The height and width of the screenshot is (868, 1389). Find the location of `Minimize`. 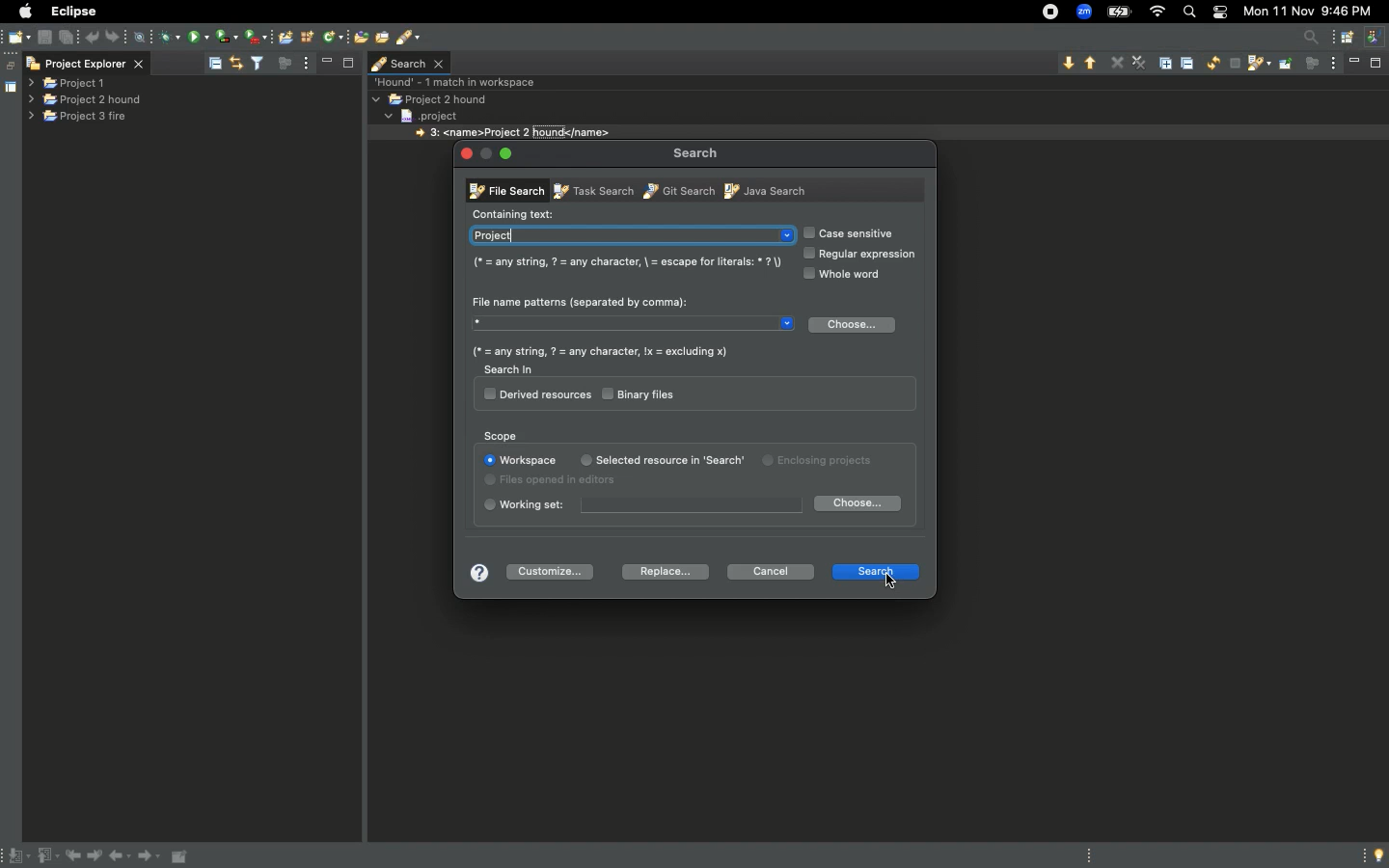

Minimize is located at coordinates (516, 156).